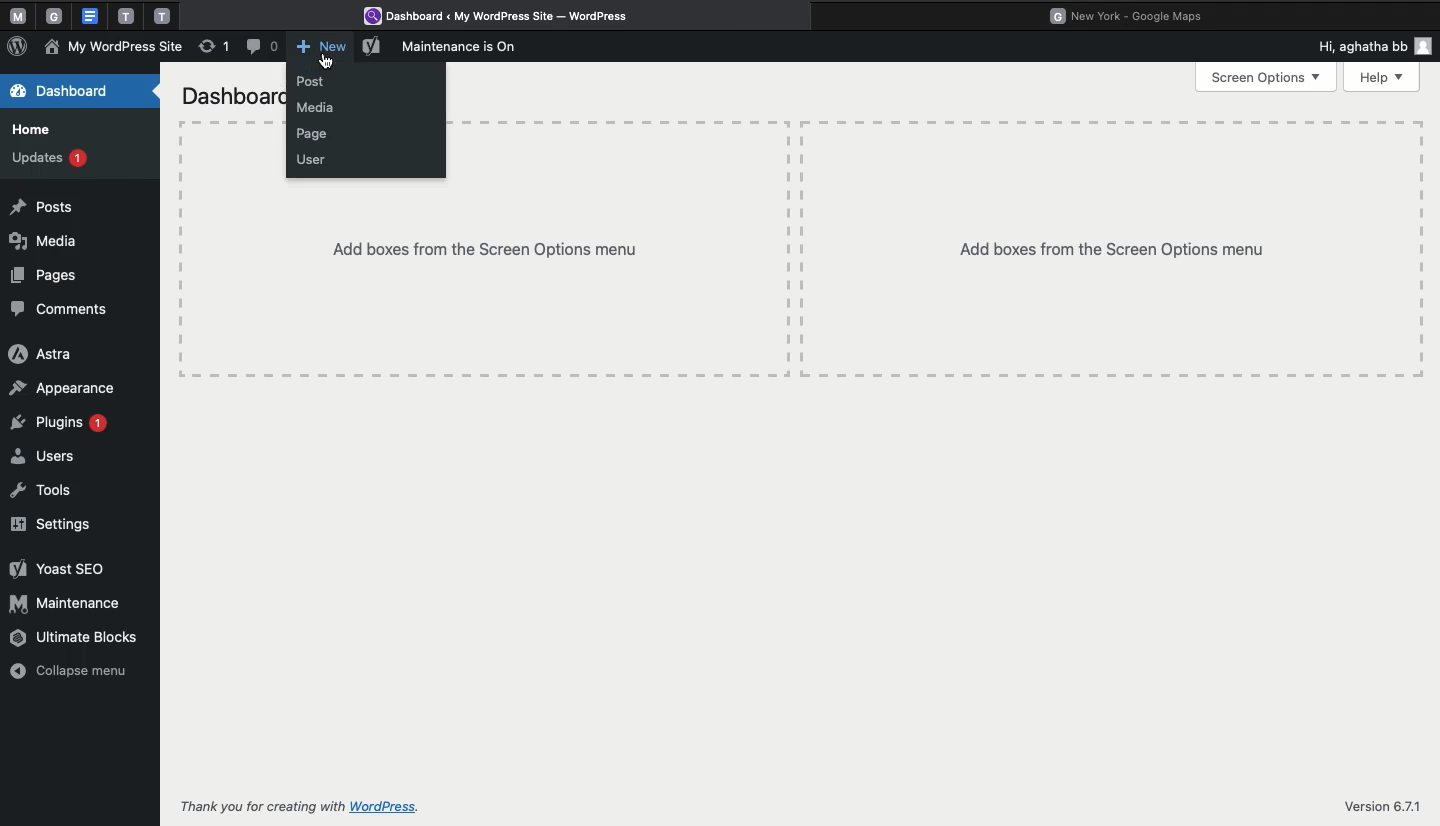 The image size is (1440, 826). I want to click on Comments, so click(62, 308).